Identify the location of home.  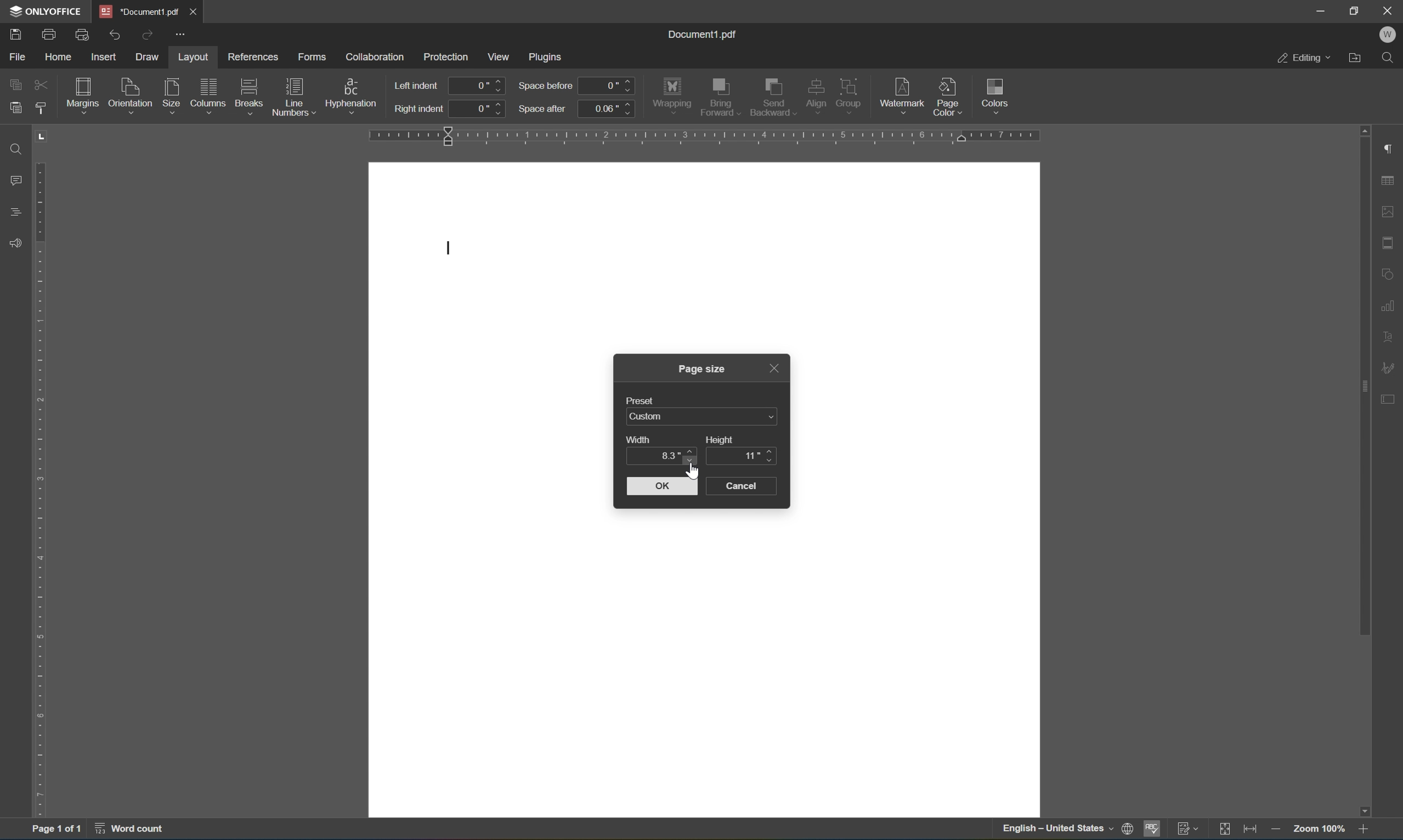
(56, 56).